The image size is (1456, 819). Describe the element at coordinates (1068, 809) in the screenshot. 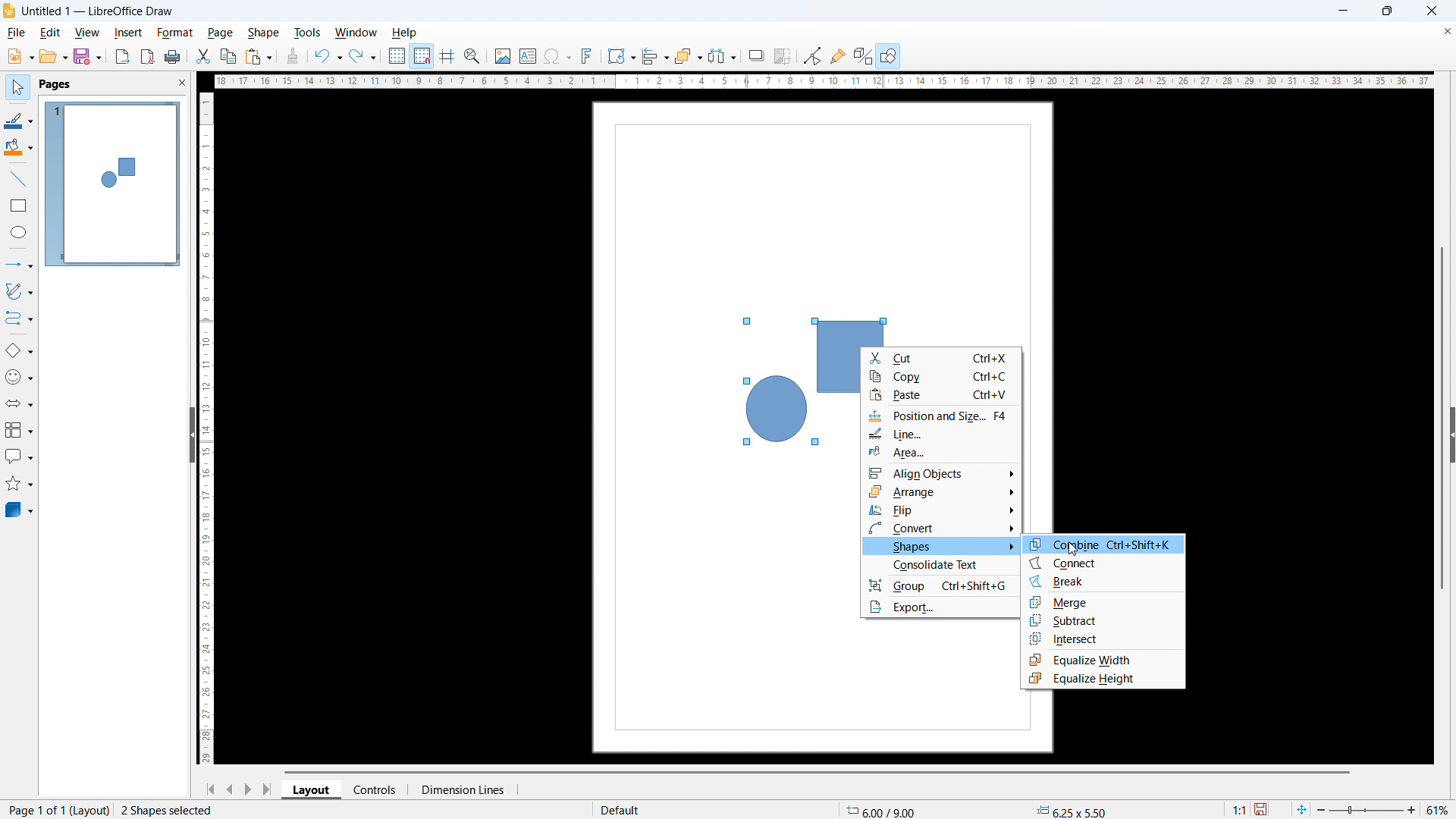

I see `object dimension` at that location.